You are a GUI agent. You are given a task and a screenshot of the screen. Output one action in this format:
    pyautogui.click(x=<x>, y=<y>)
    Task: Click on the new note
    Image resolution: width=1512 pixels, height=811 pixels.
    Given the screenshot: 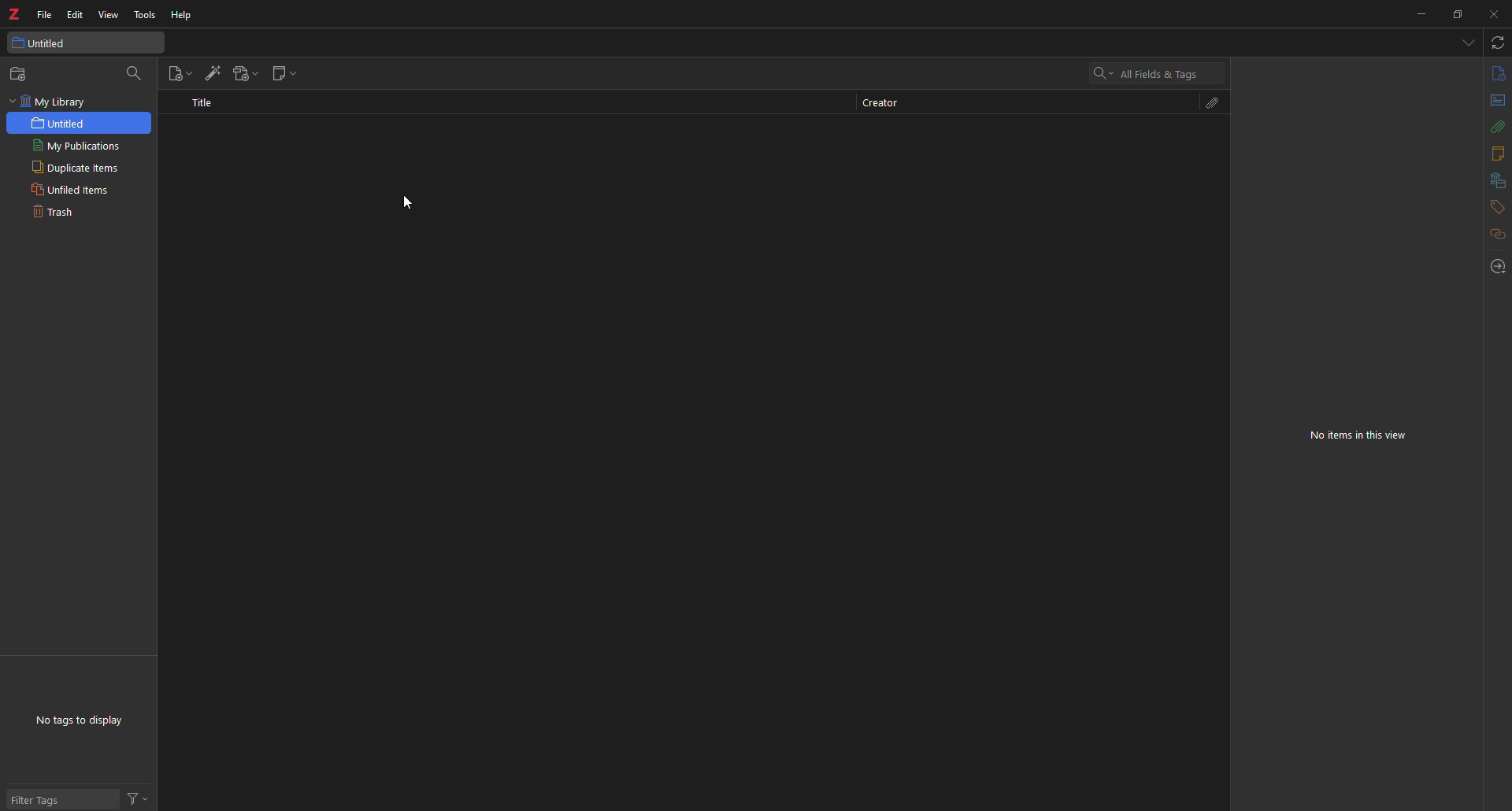 What is the action you would take?
    pyautogui.click(x=288, y=73)
    